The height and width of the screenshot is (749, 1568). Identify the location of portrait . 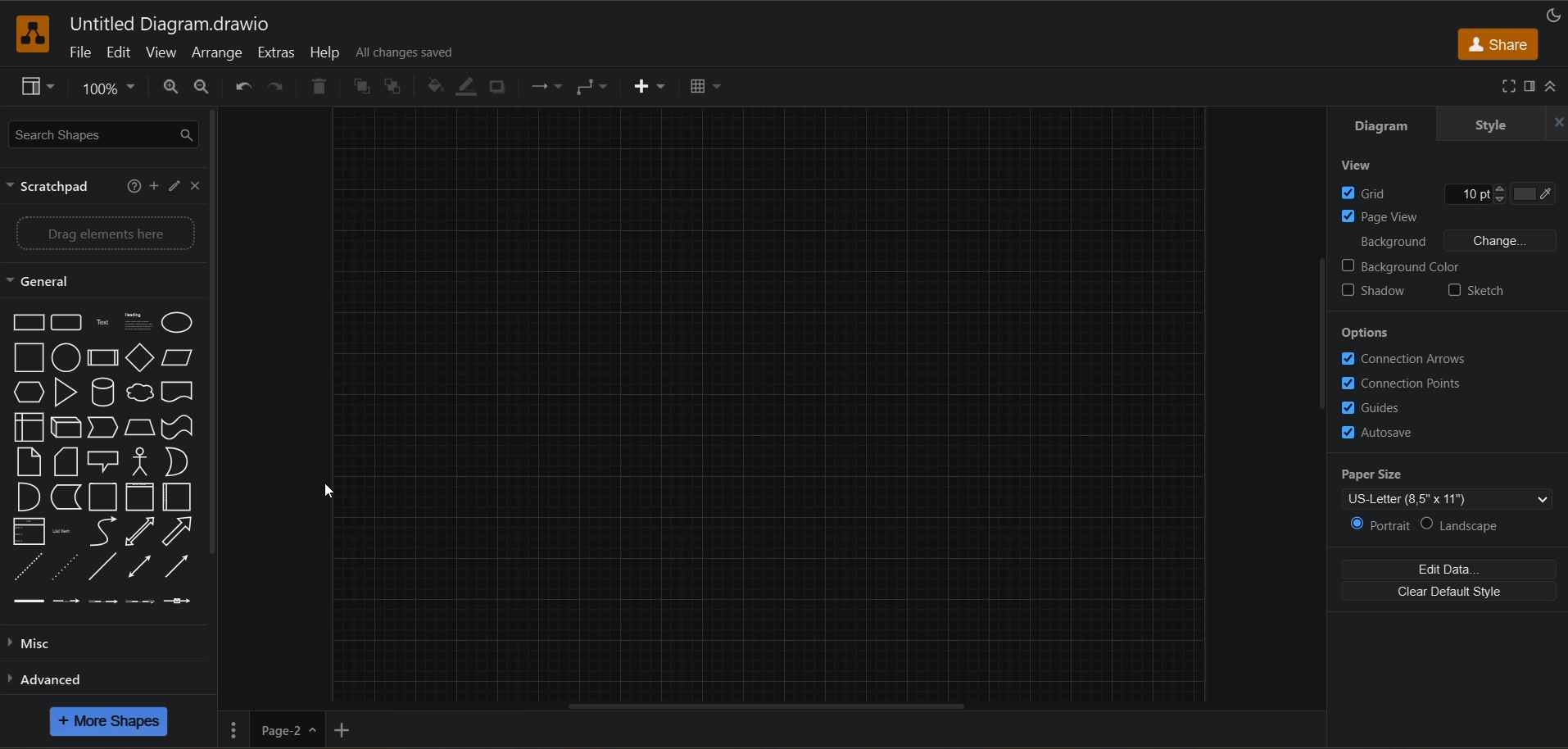
(1381, 525).